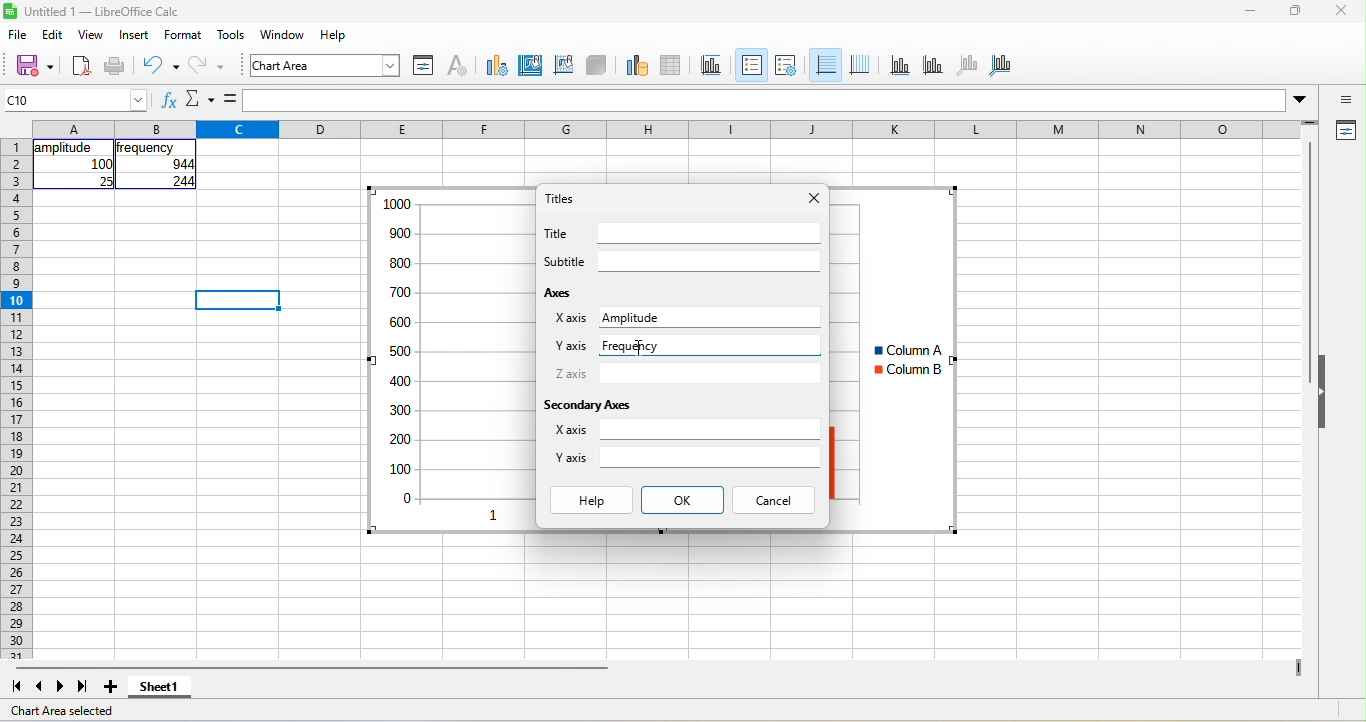 Image resolution: width=1366 pixels, height=722 pixels. Describe the element at coordinates (60, 687) in the screenshot. I see `next sheet` at that location.